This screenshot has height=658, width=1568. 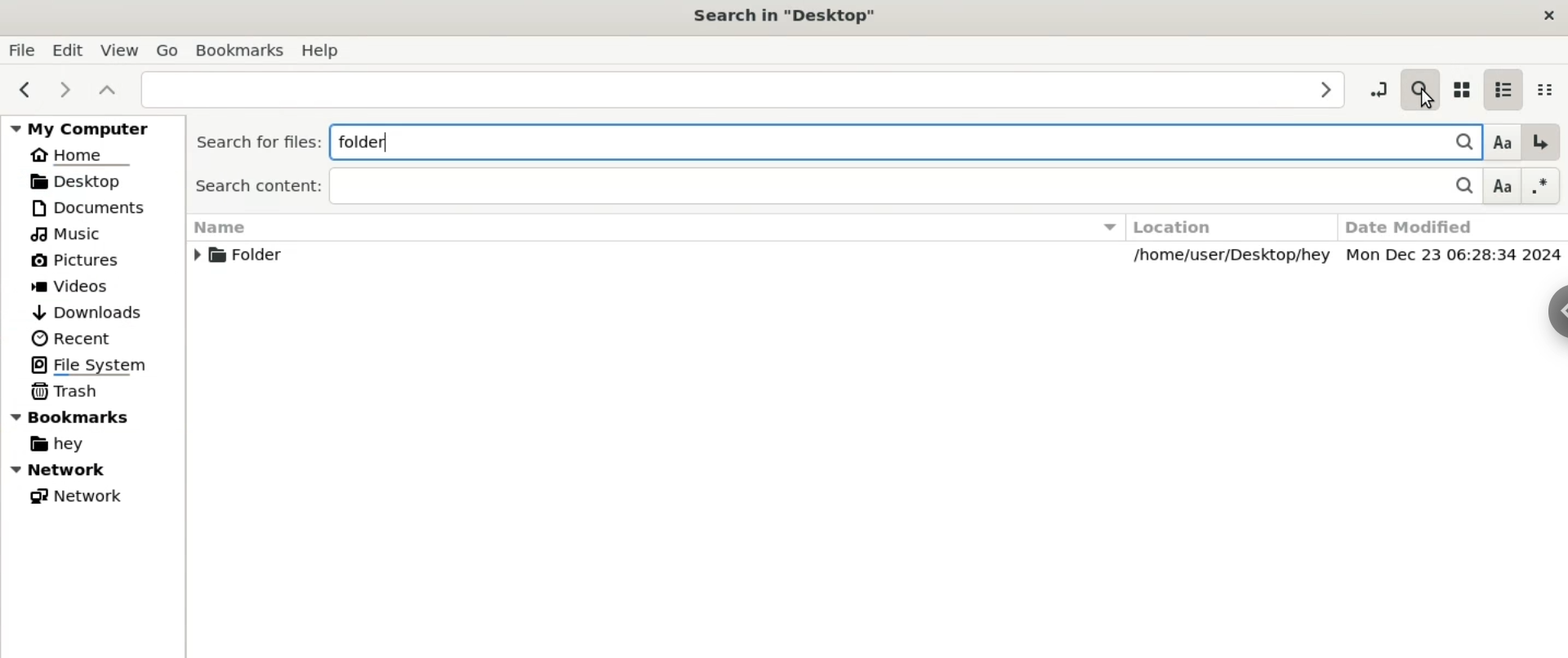 What do you see at coordinates (1461, 87) in the screenshot?
I see `icon view` at bounding box center [1461, 87].